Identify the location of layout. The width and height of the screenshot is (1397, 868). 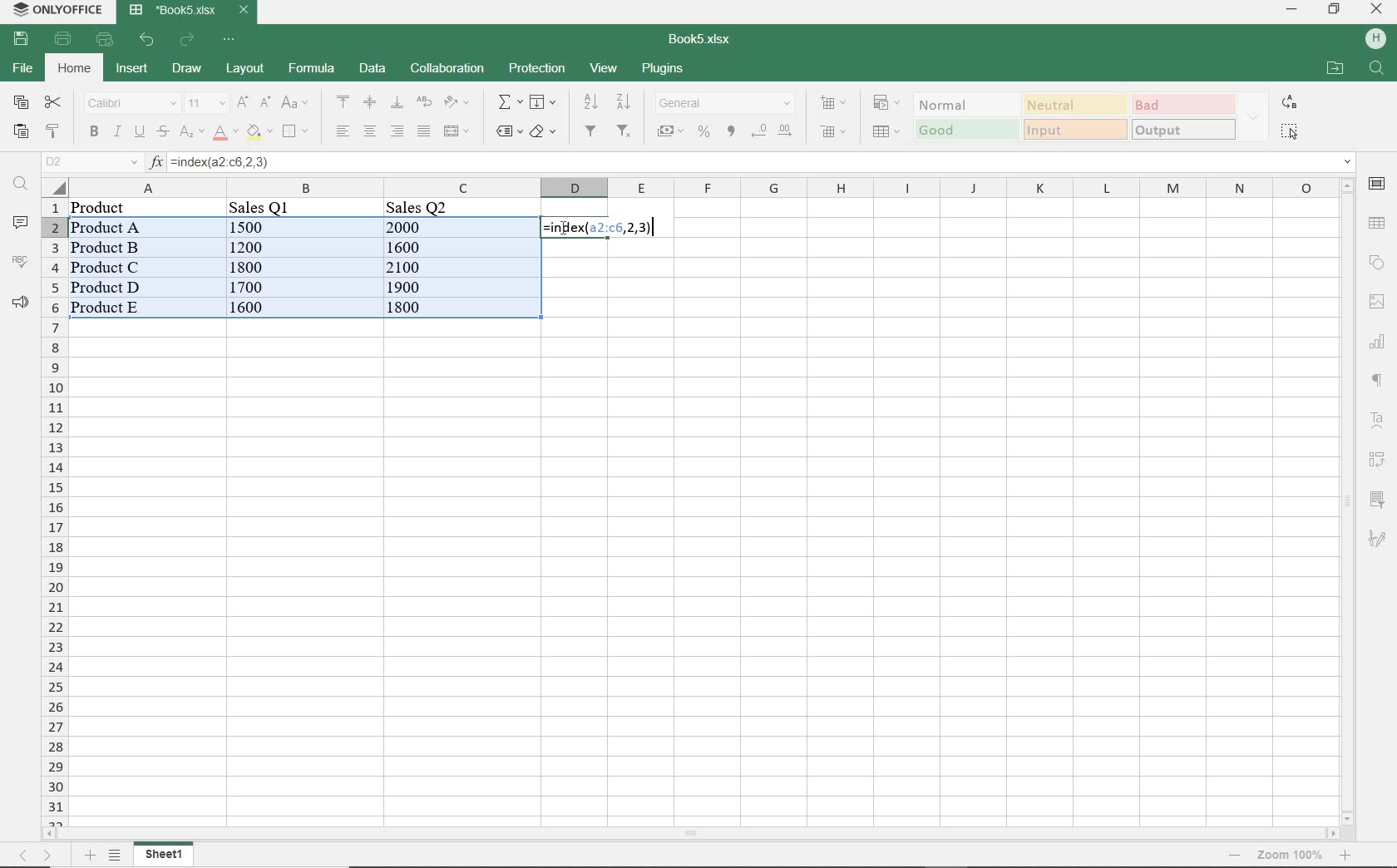
(247, 69).